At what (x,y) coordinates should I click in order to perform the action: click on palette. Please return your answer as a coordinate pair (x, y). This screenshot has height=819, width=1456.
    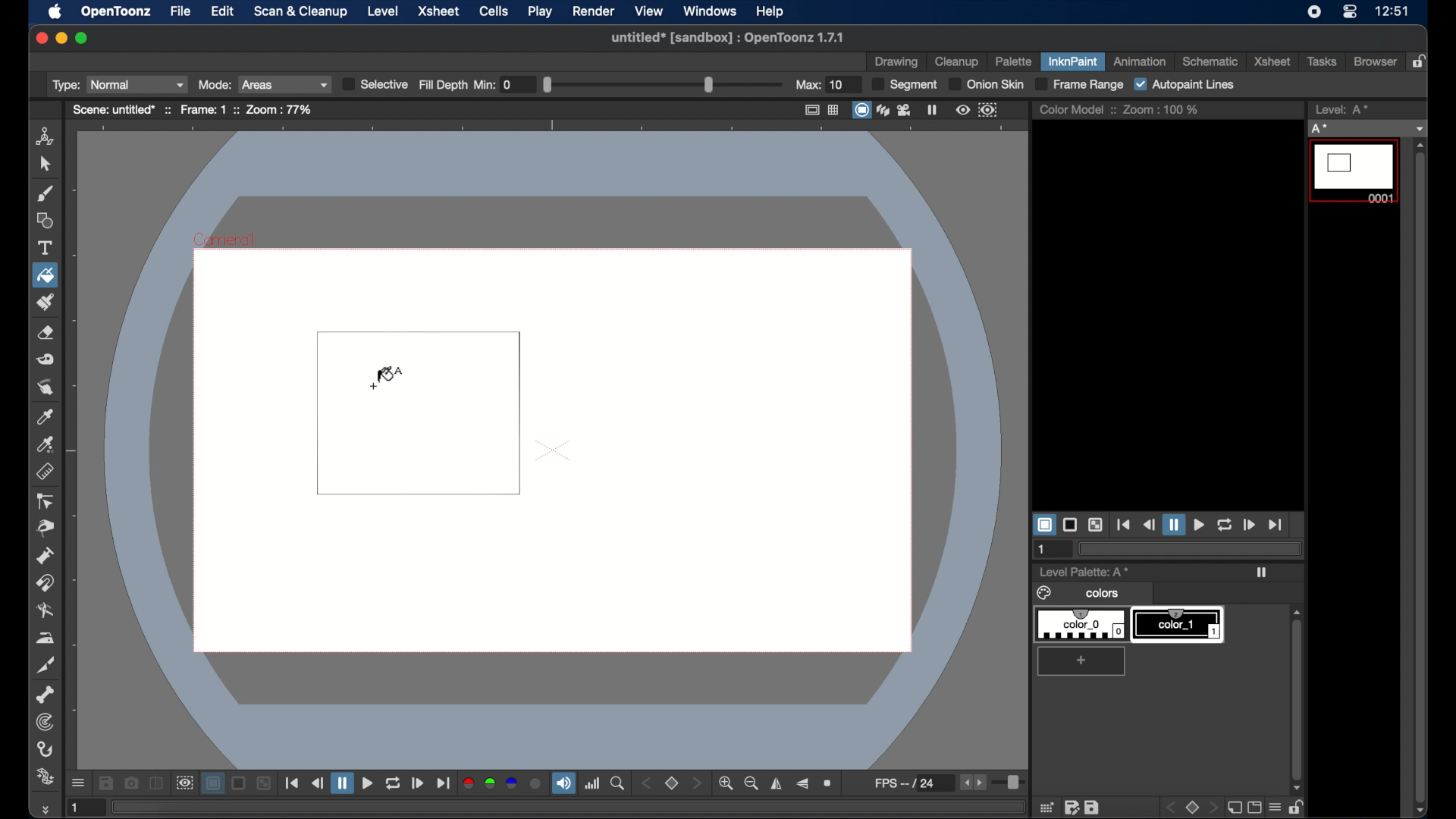
    Looking at the image, I should click on (1013, 63).